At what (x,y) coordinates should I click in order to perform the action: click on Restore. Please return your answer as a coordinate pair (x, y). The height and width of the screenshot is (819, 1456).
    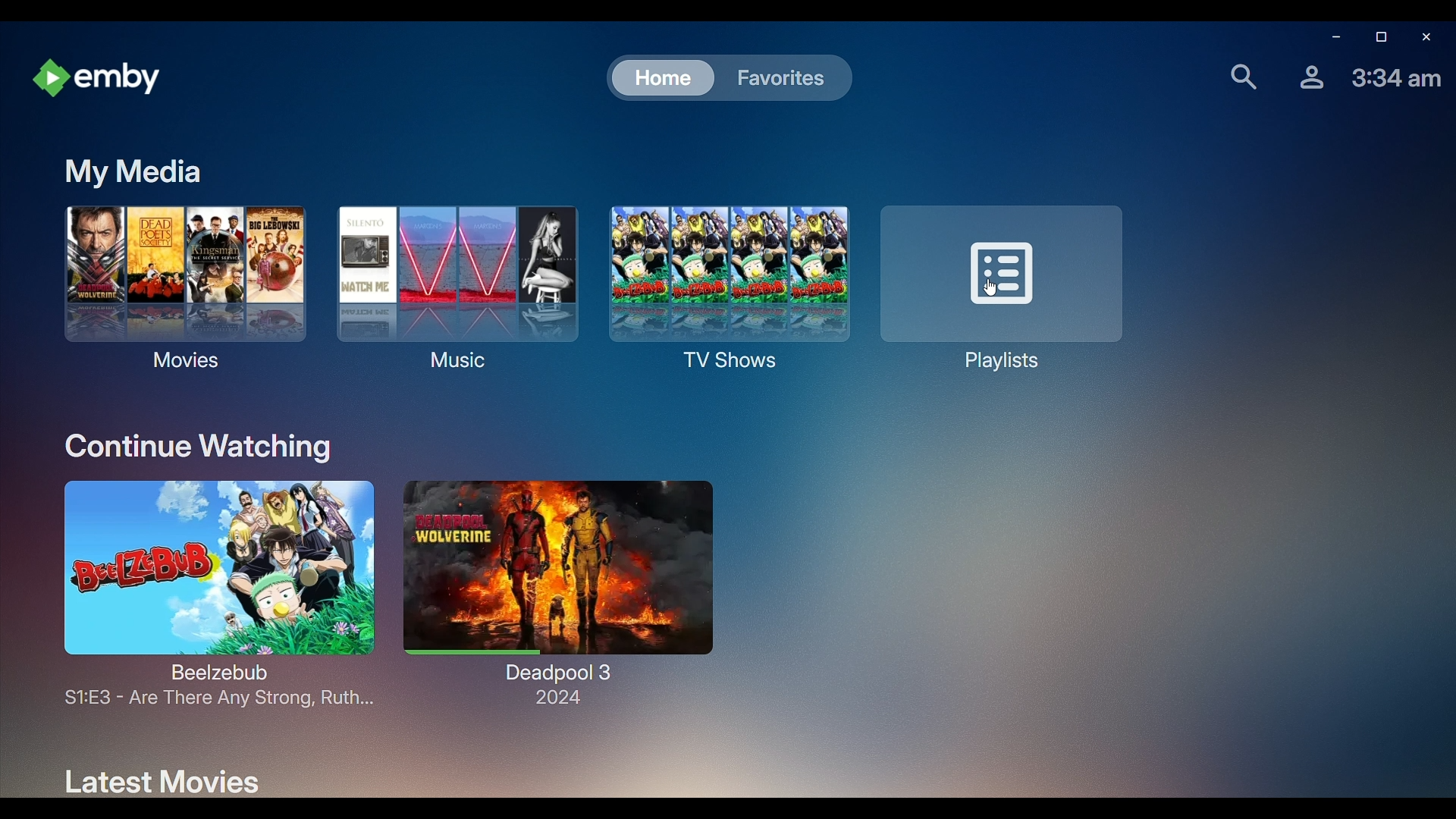
    Looking at the image, I should click on (1379, 38).